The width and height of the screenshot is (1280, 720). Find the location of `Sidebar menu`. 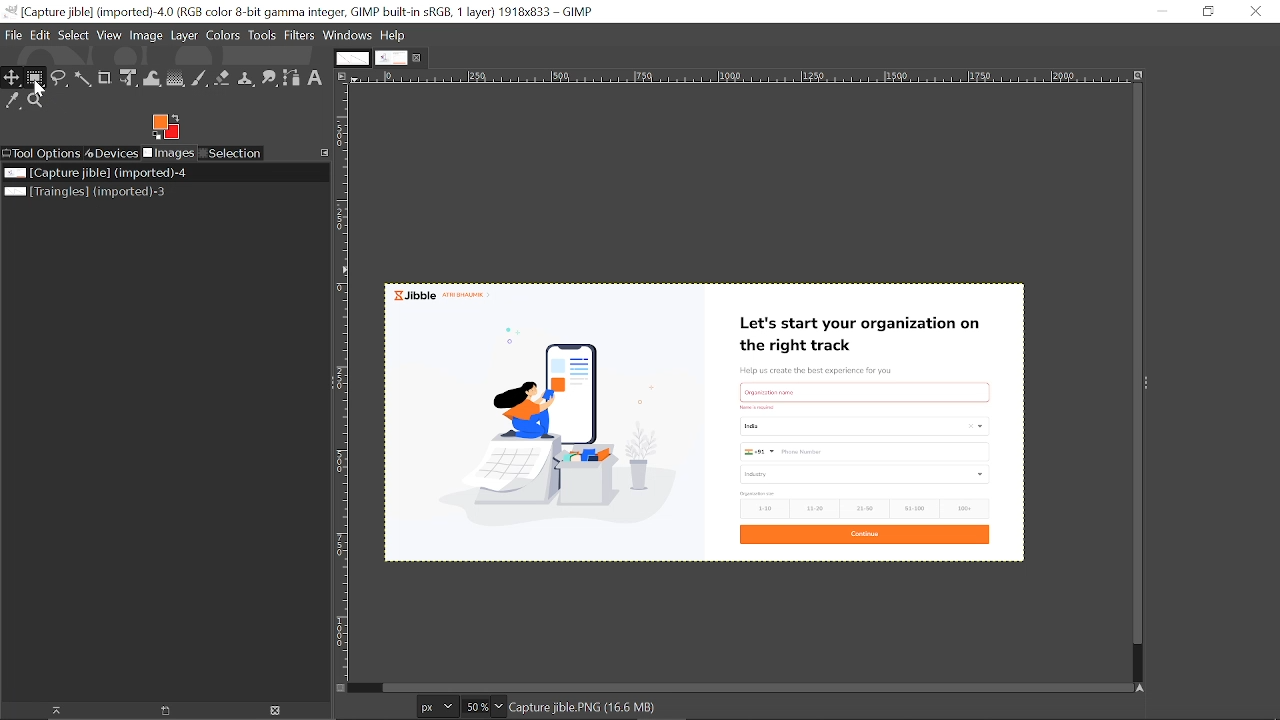

Sidebar menu is located at coordinates (1153, 384).